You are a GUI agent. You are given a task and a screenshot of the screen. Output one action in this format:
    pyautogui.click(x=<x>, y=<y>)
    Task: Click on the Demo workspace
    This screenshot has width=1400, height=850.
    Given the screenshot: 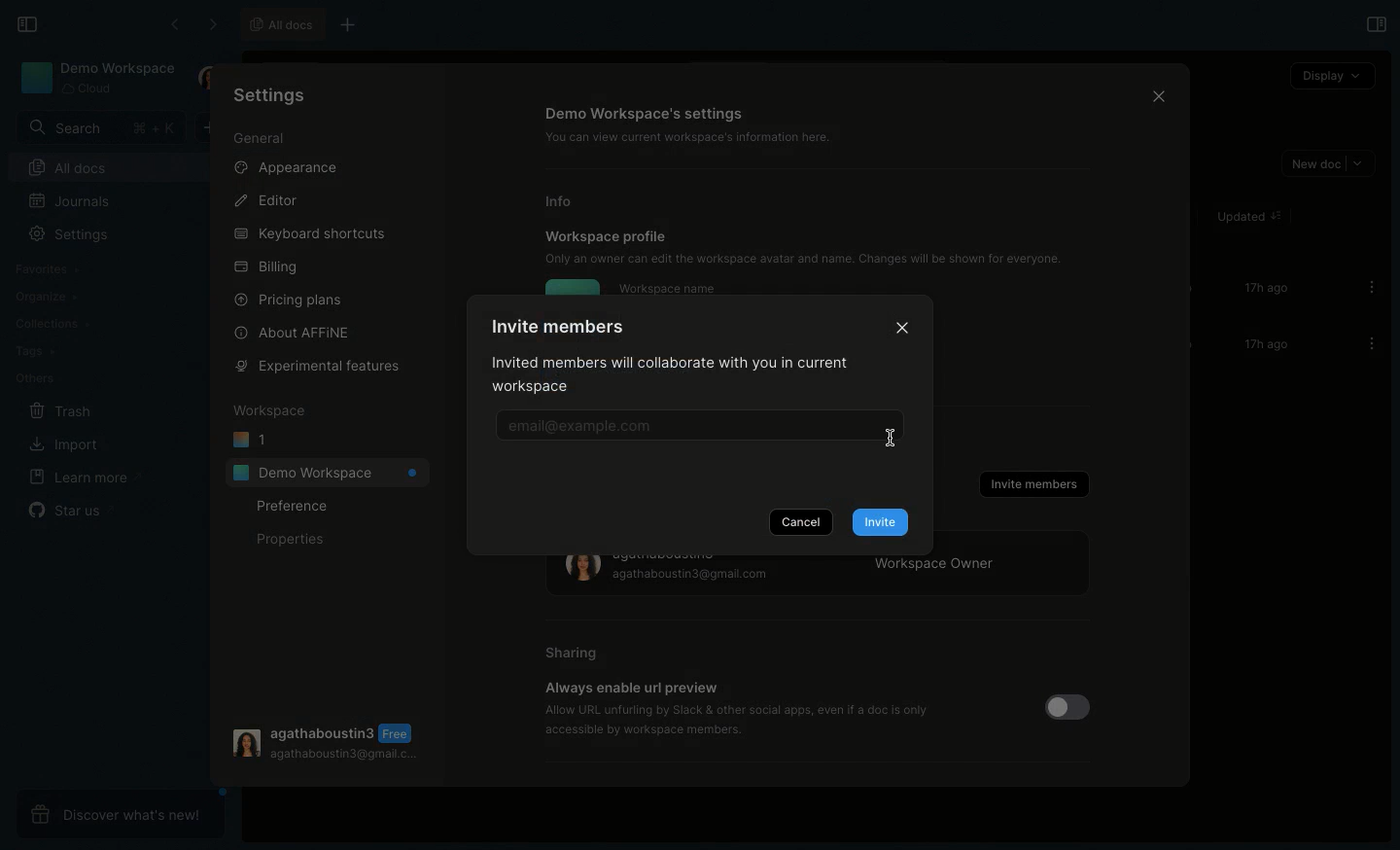 What is the action you would take?
    pyautogui.click(x=97, y=78)
    